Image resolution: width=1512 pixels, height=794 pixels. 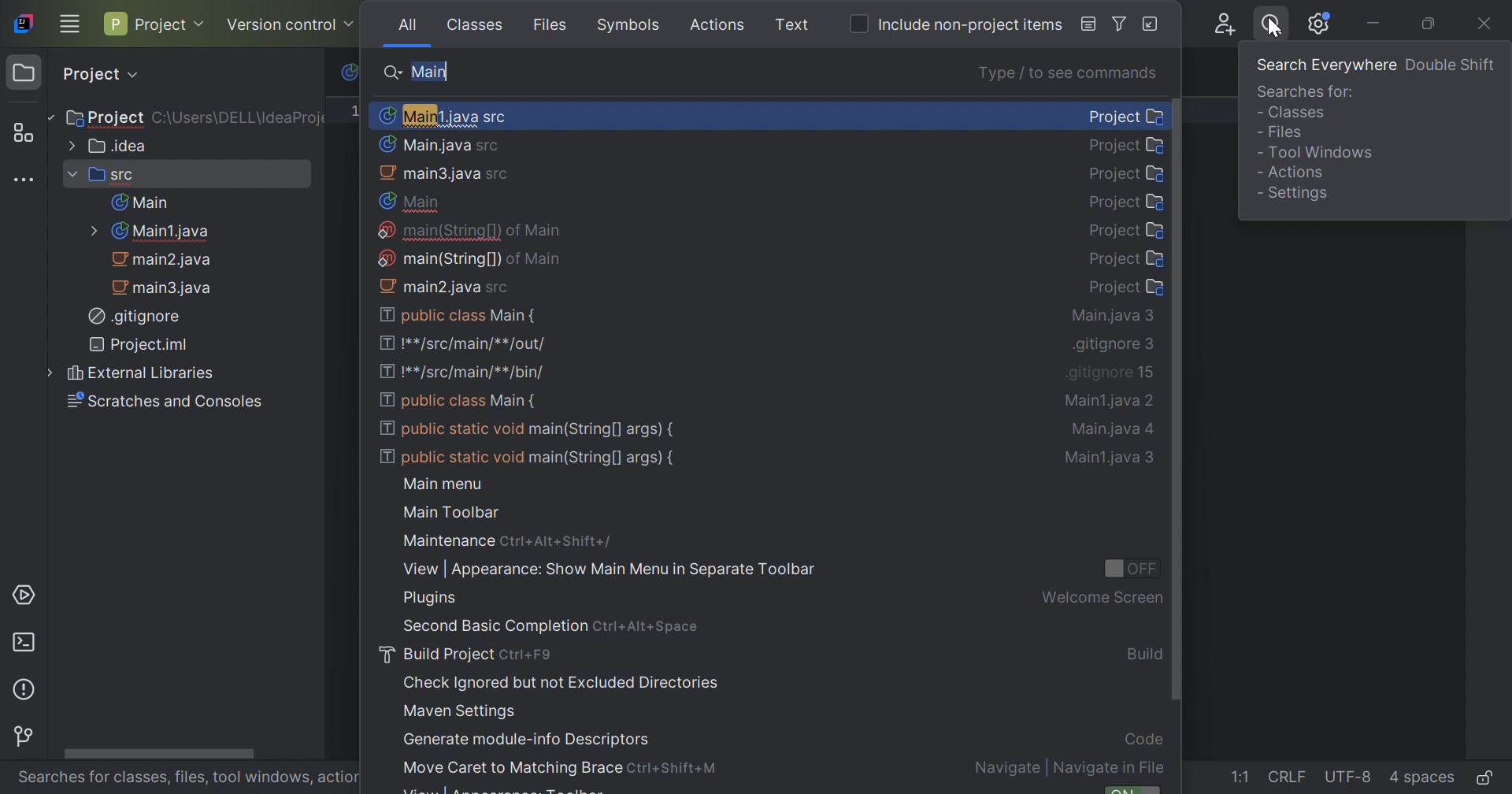 I want to click on Project, so click(x=1127, y=258).